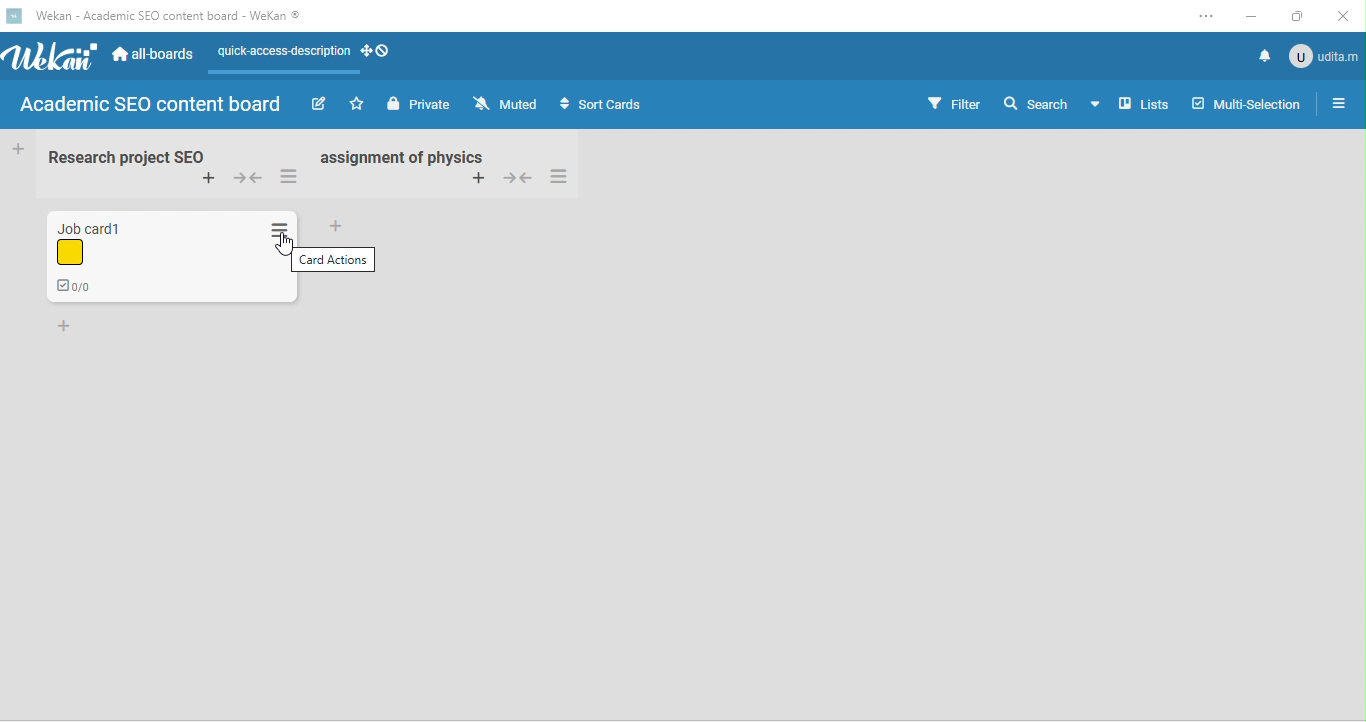  I want to click on list actions, so click(289, 176).